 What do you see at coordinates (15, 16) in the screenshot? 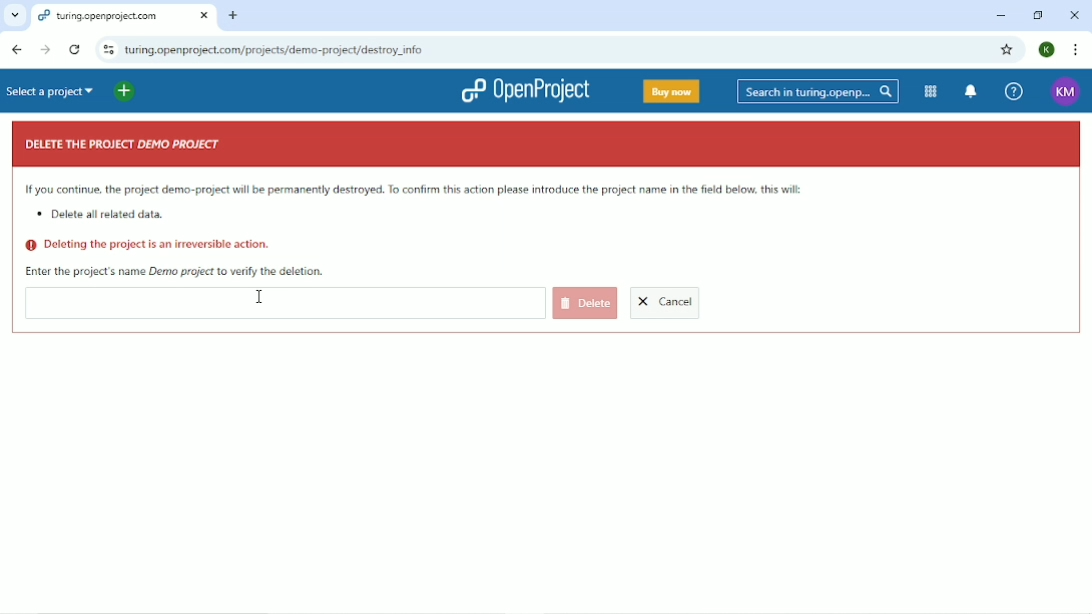
I see `Search tabs` at bounding box center [15, 16].